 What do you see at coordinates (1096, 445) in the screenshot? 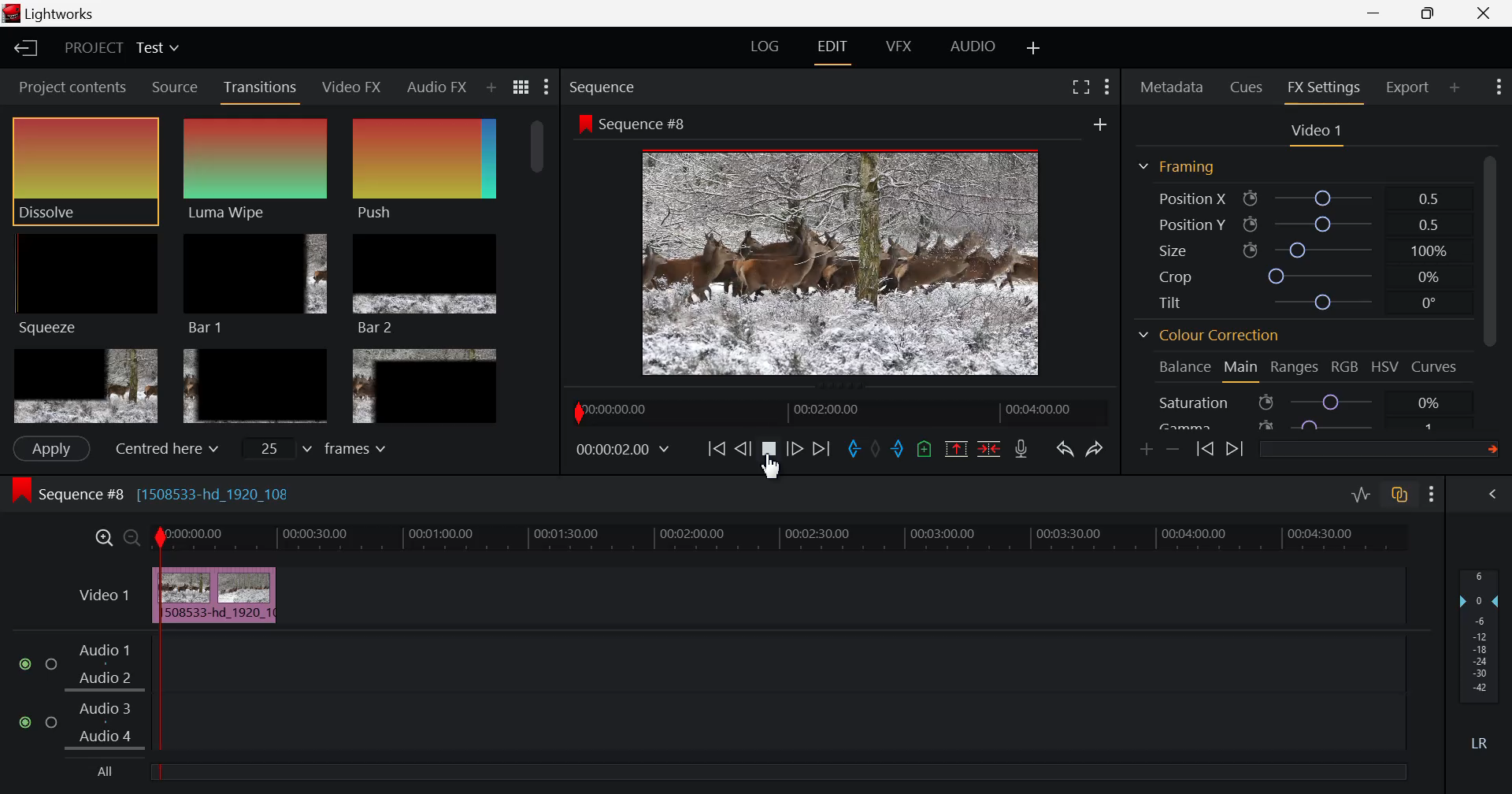
I see `Redo` at bounding box center [1096, 445].